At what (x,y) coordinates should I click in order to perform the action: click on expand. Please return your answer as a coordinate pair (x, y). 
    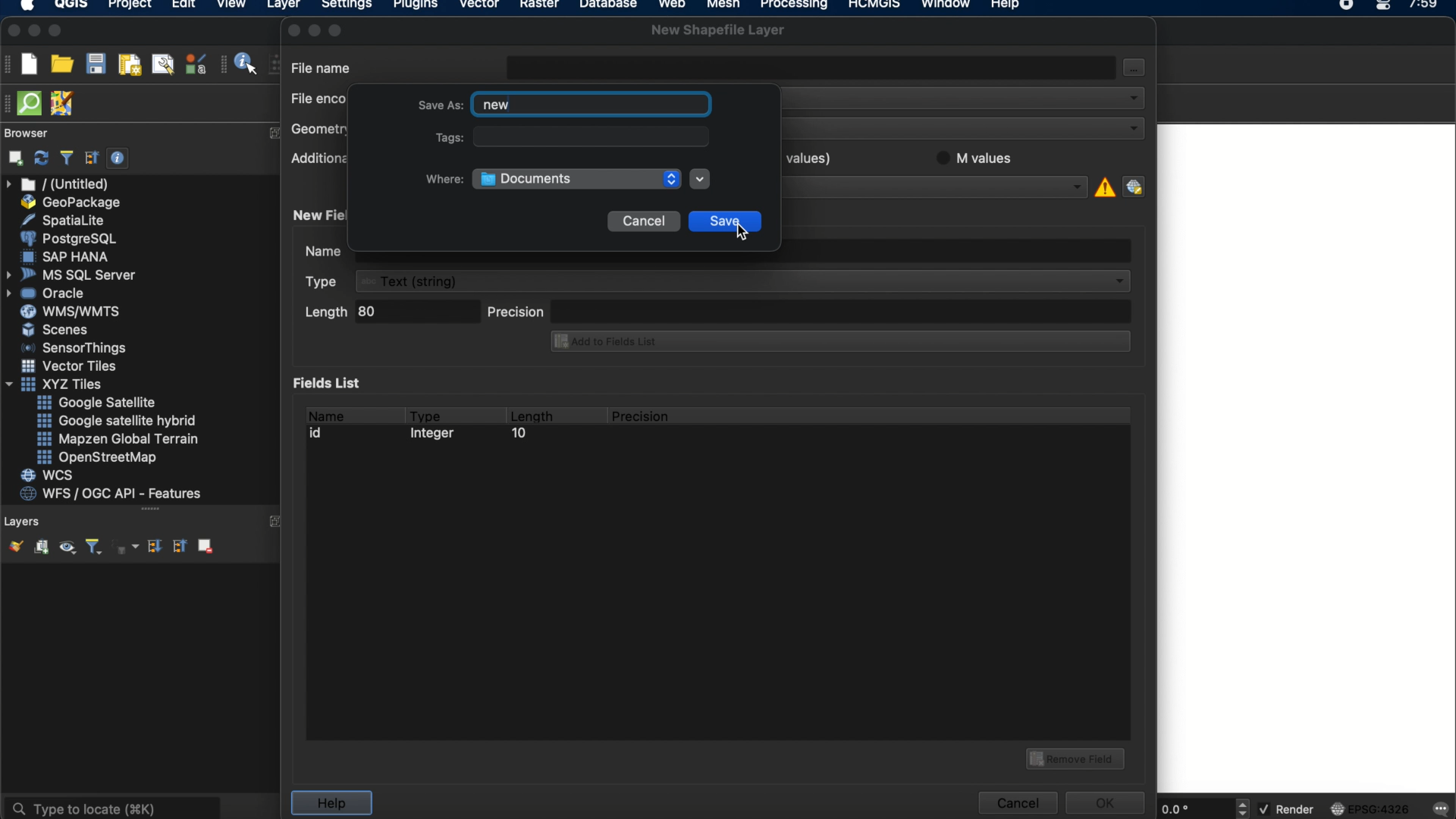
    Looking at the image, I should click on (274, 133).